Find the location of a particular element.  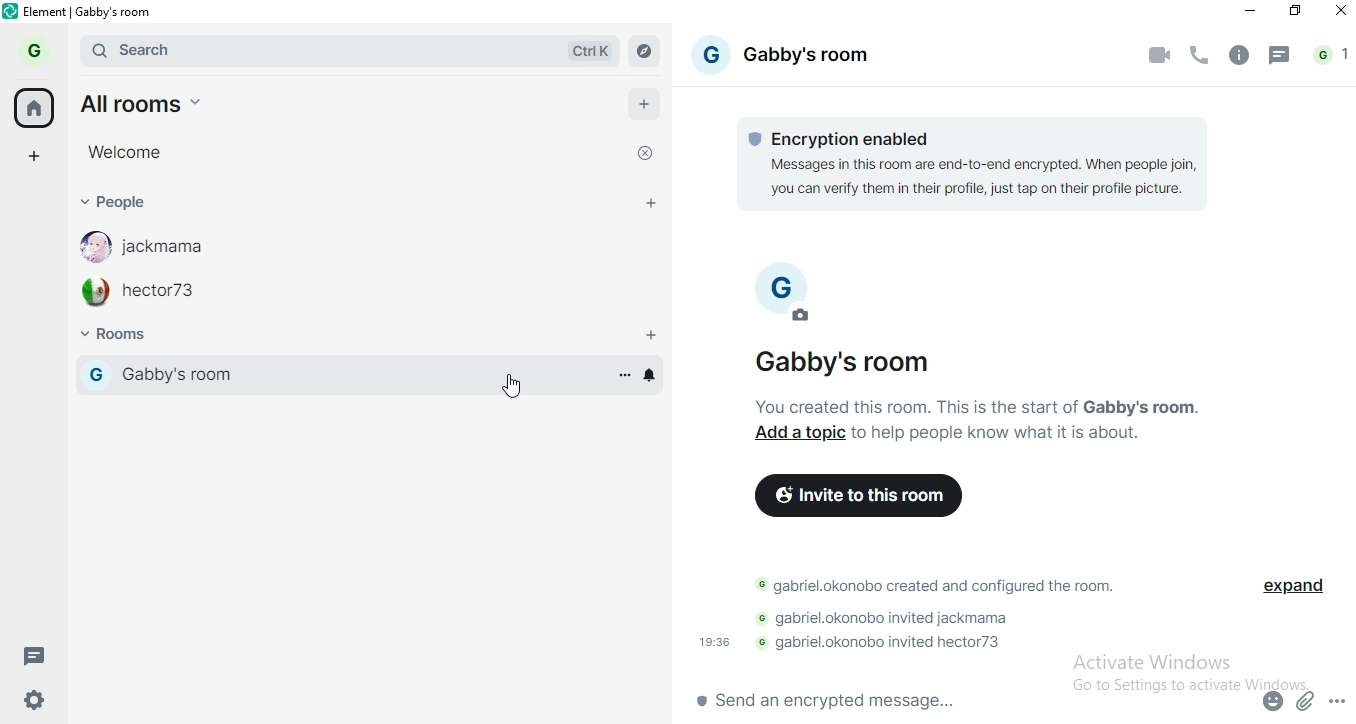

add people is located at coordinates (648, 202).